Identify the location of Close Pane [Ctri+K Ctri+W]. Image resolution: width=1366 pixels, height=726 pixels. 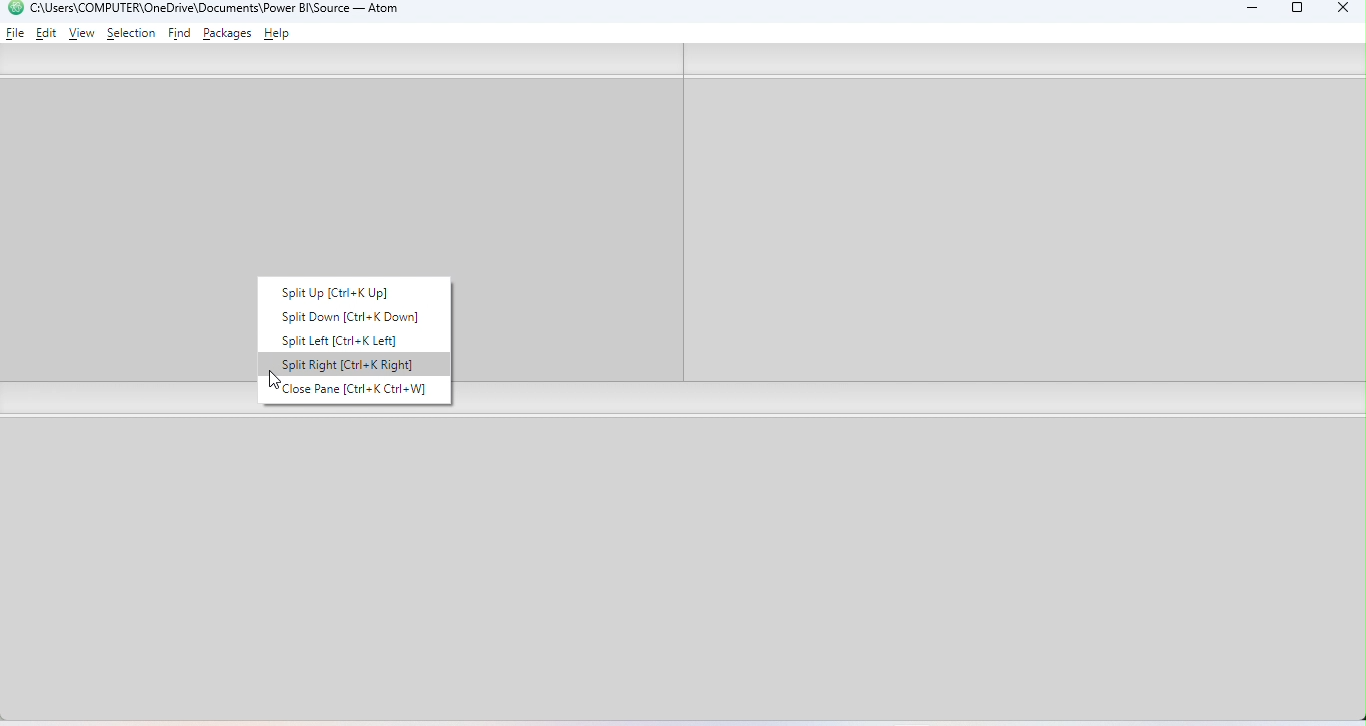
(354, 392).